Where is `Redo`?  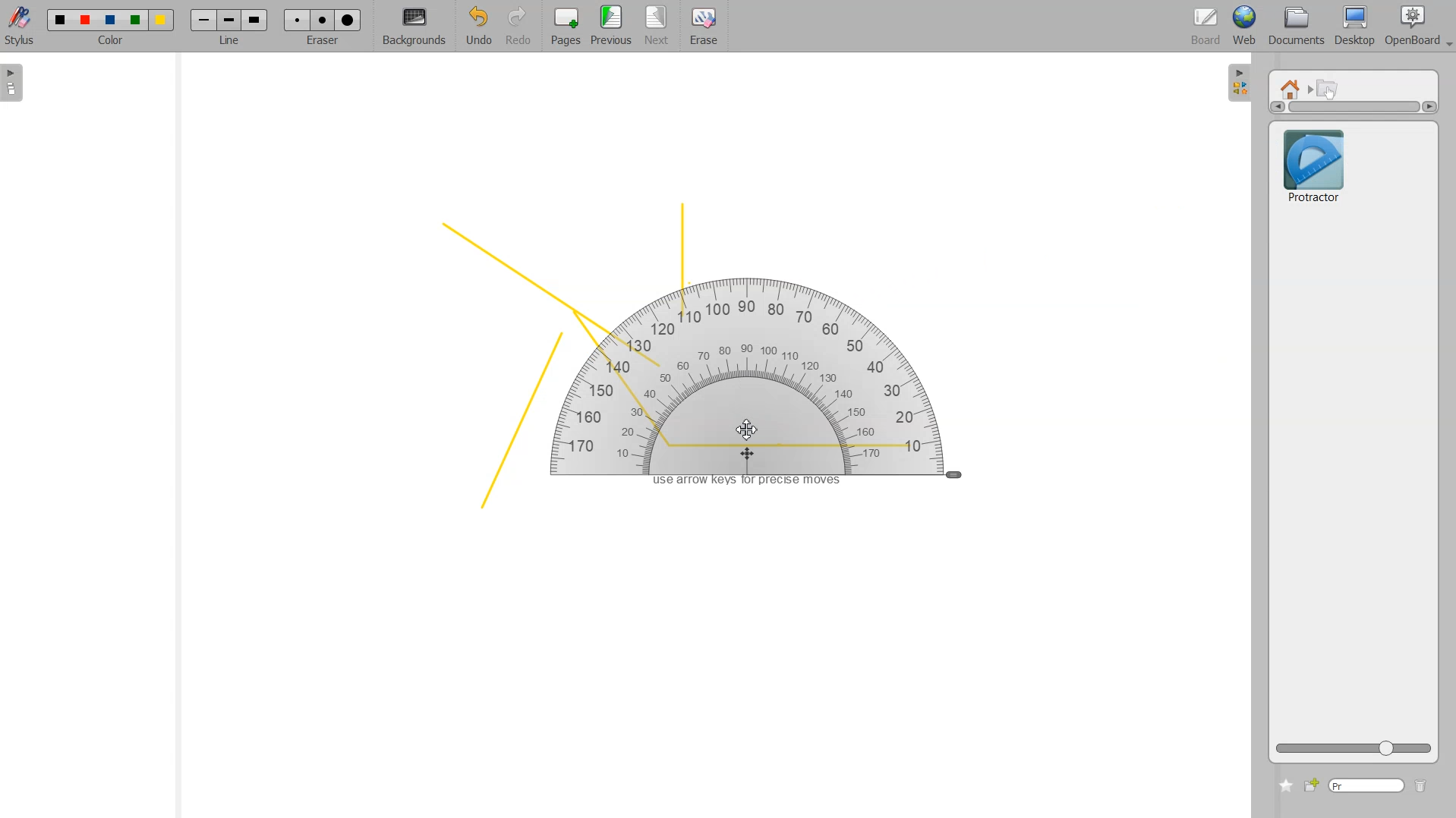
Redo is located at coordinates (518, 27).